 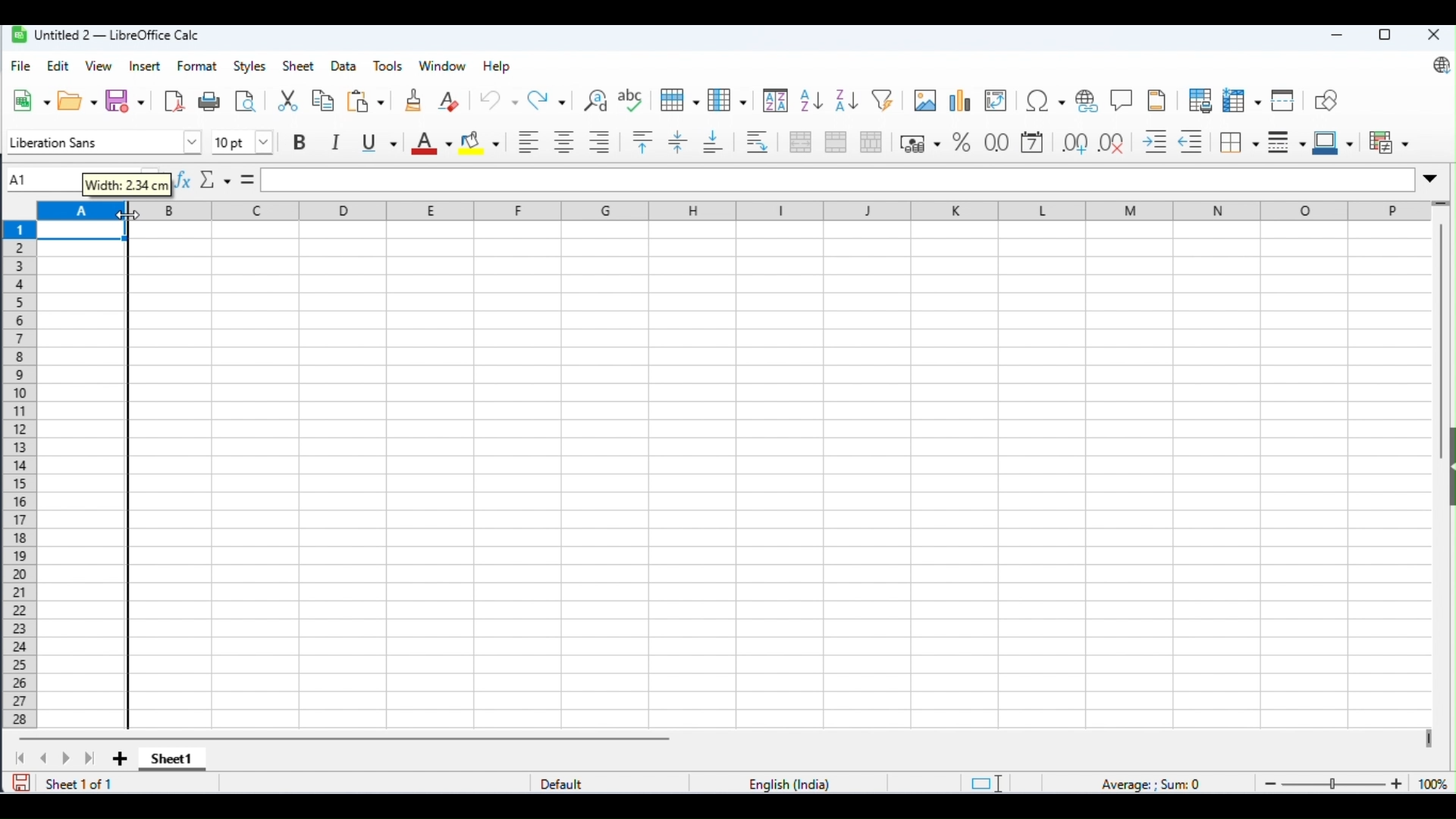 What do you see at coordinates (336, 141) in the screenshot?
I see `italics` at bounding box center [336, 141].